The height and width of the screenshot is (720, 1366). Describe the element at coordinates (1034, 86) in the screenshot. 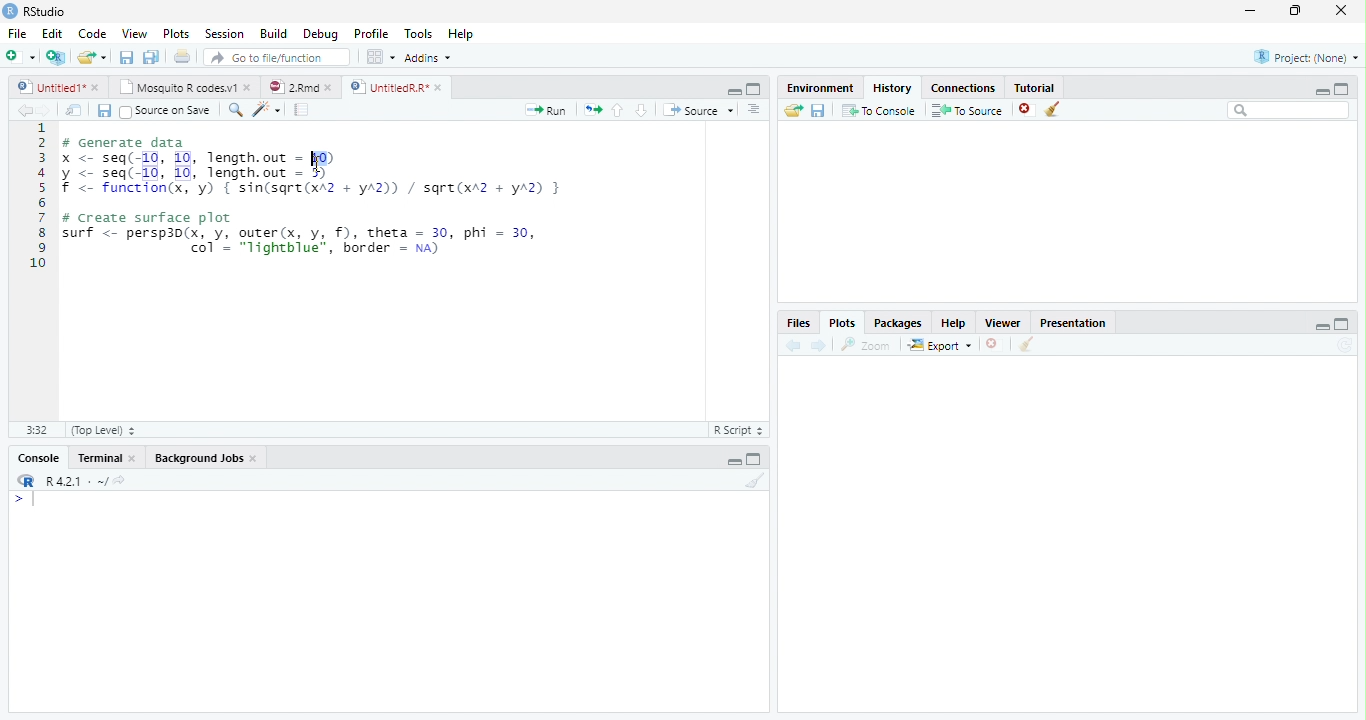

I see `Tutorial` at that location.